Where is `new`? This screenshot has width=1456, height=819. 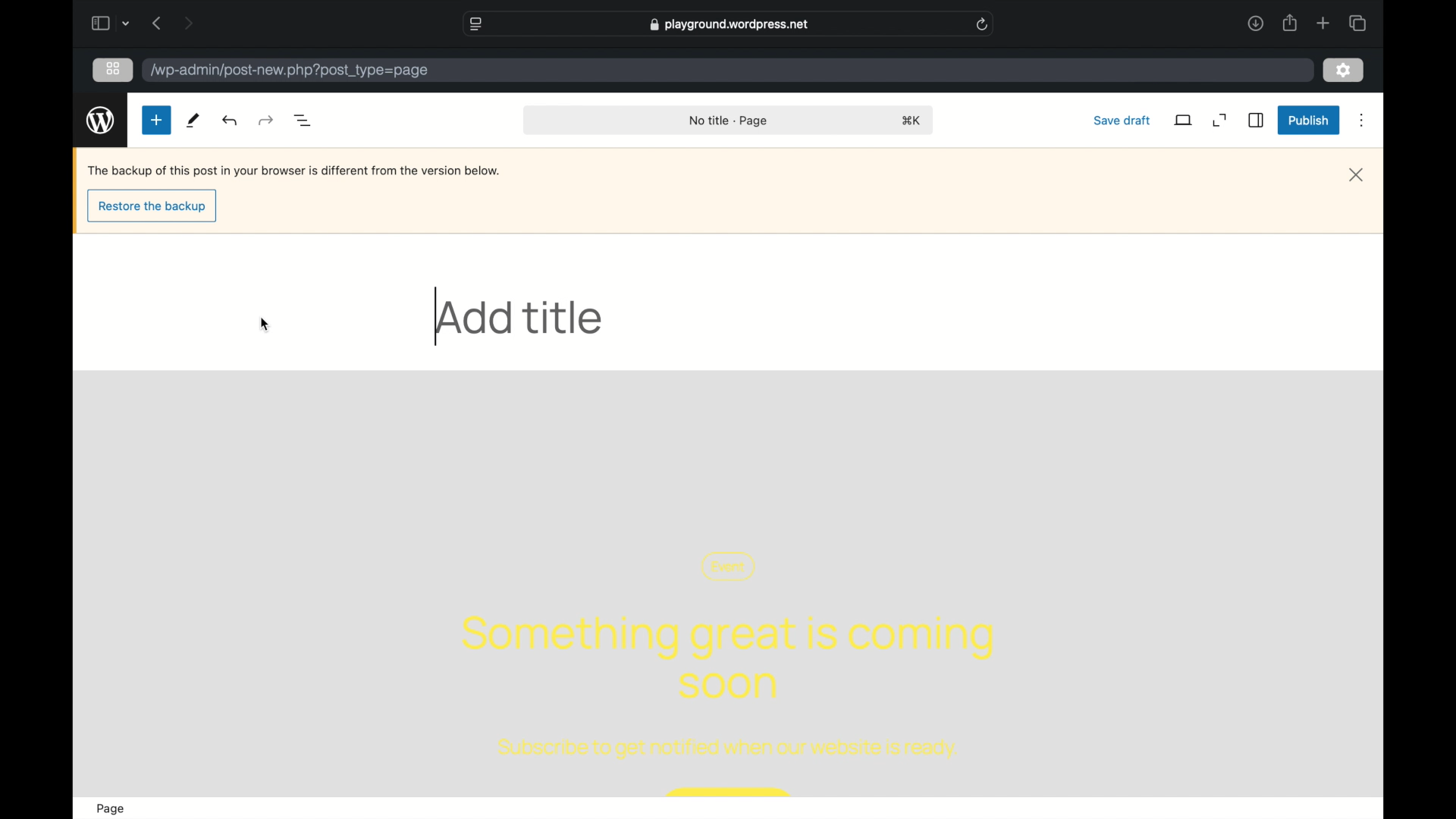 new is located at coordinates (155, 121).